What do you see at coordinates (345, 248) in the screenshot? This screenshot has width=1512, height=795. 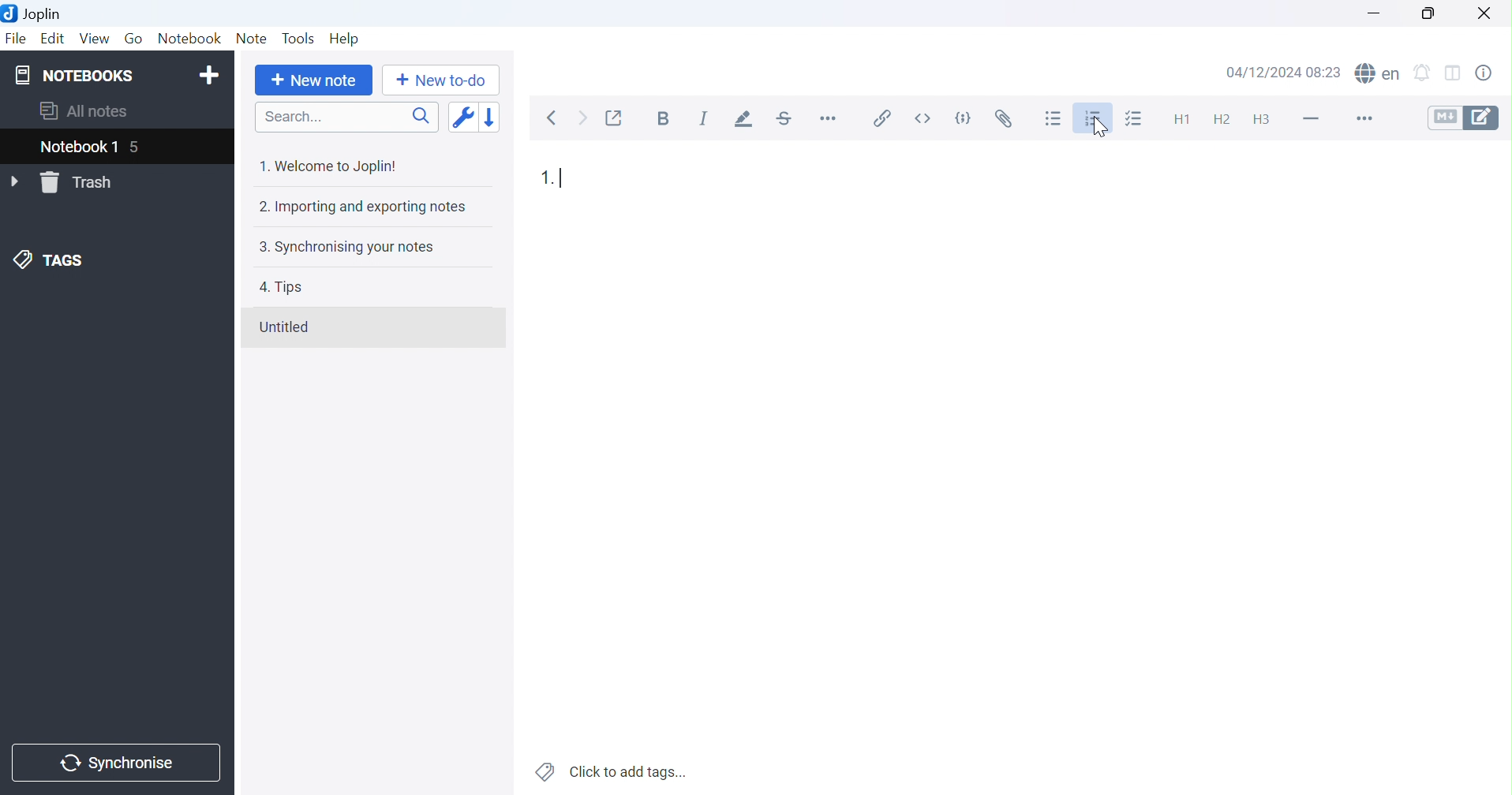 I see `3. Synchronising your notes` at bounding box center [345, 248].